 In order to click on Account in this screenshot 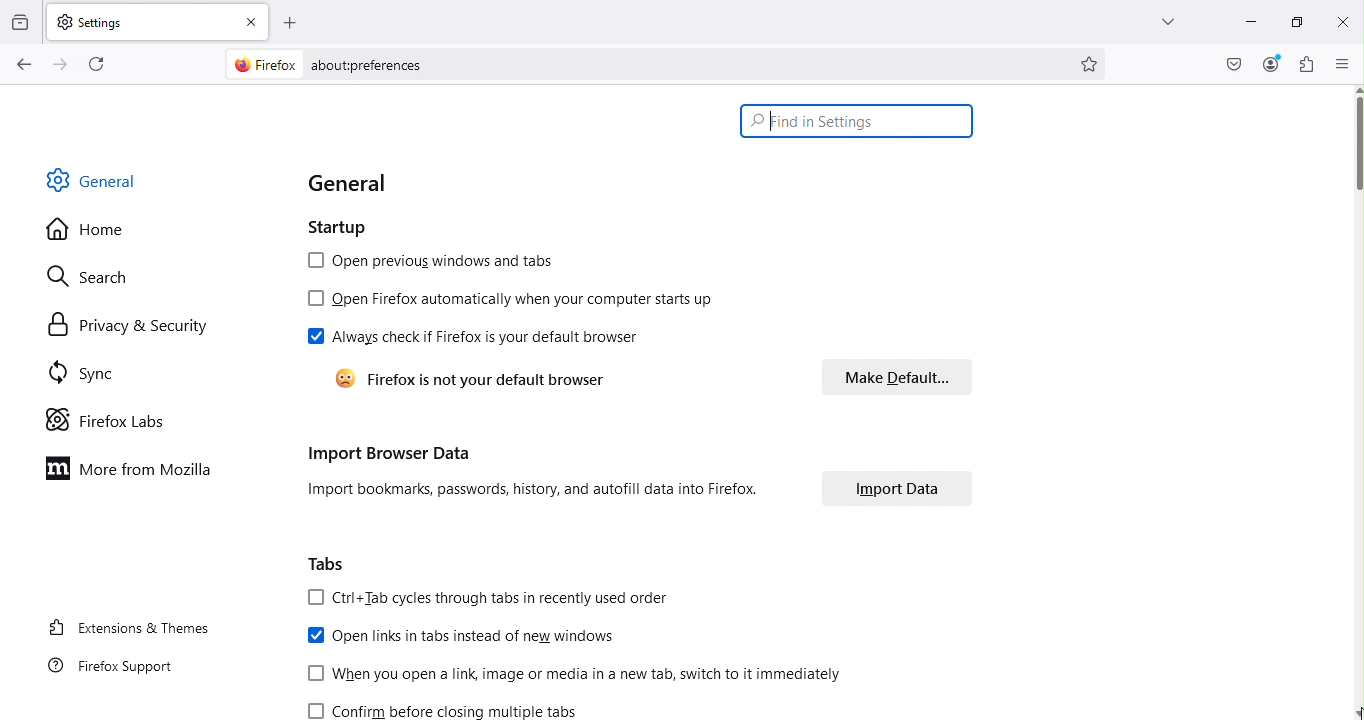, I will do `click(1271, 64)`.